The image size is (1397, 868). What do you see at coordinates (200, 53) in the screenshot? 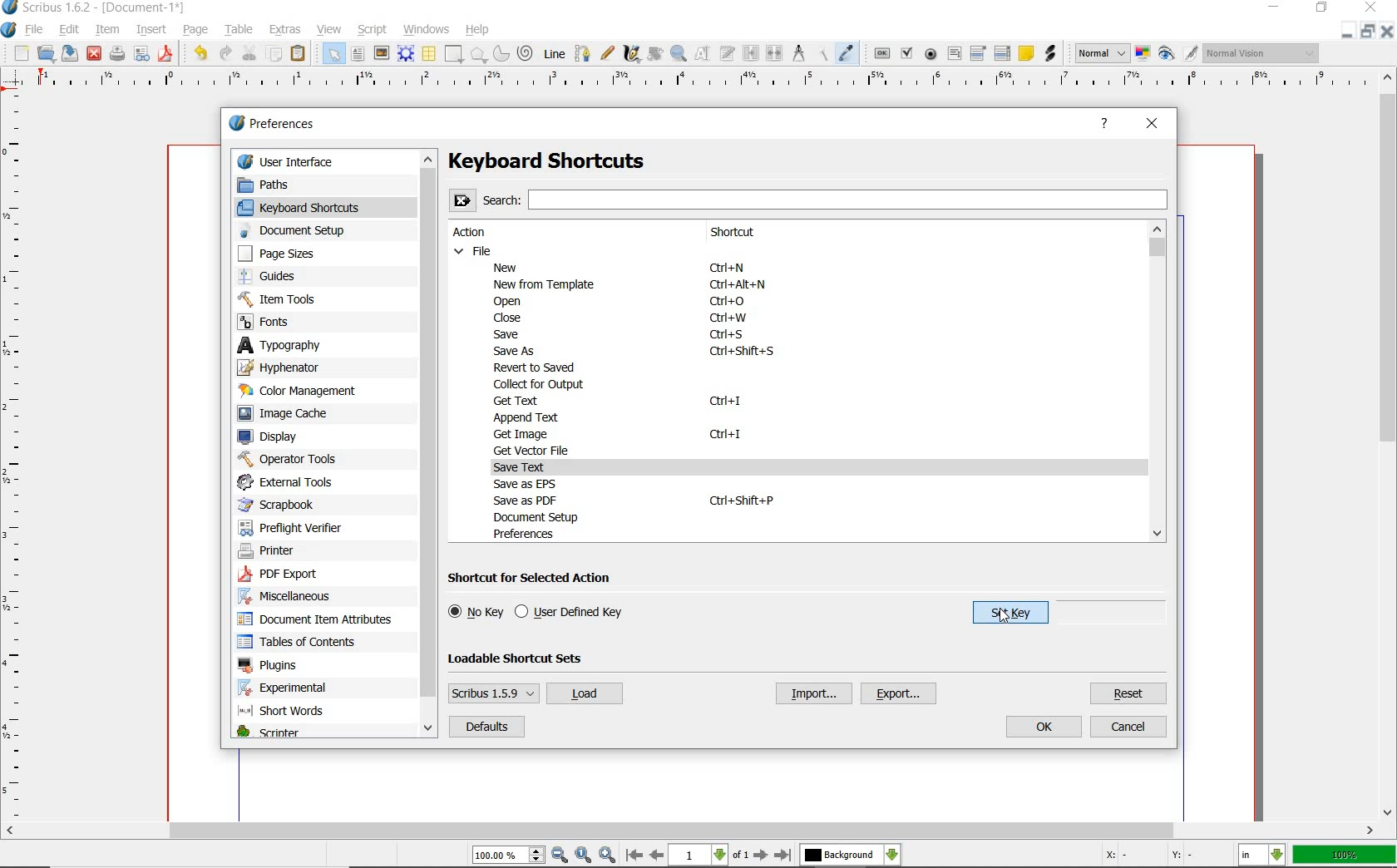
I see `undo` at bounding box center [200, 53].